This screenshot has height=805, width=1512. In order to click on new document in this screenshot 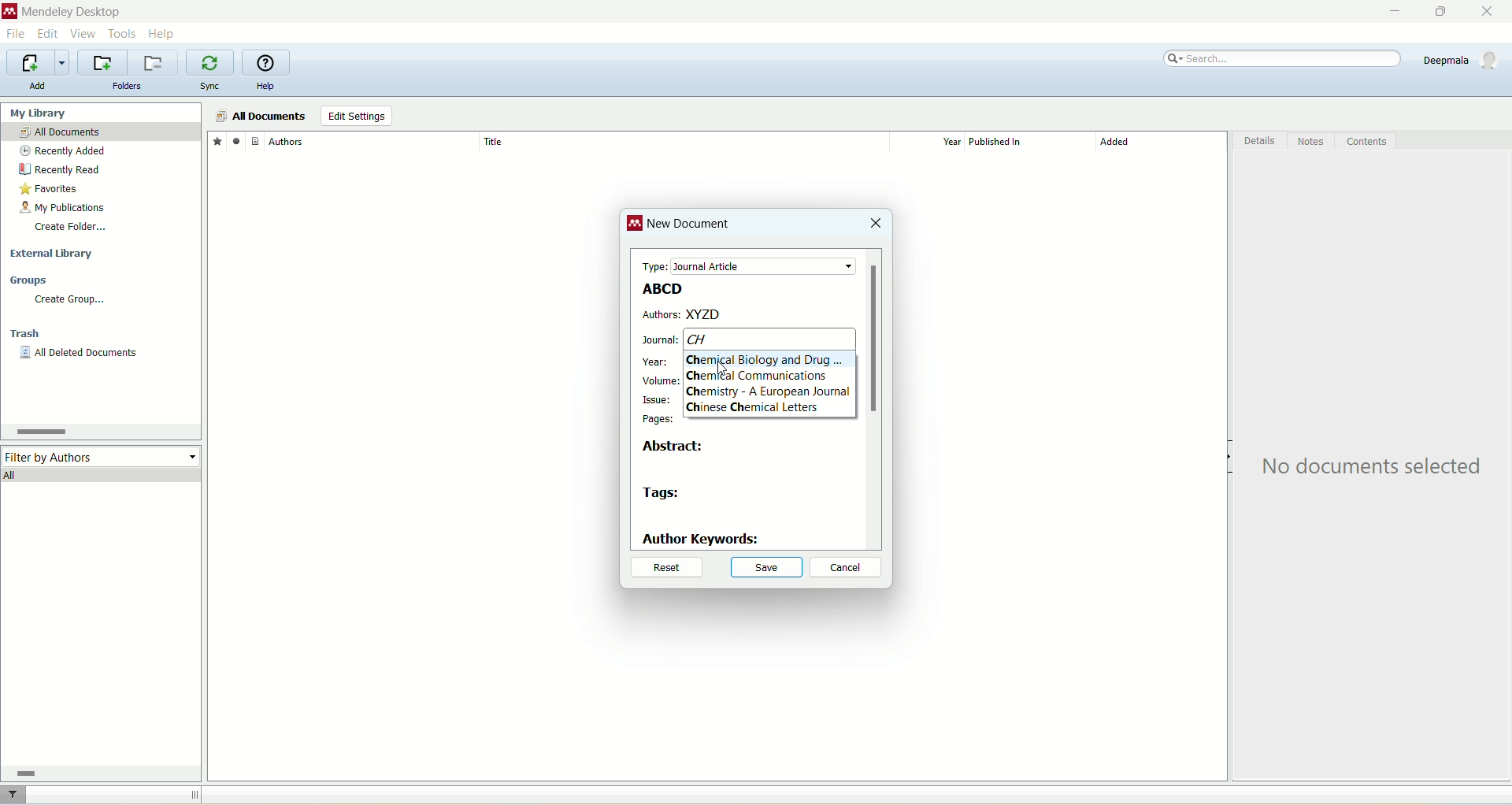, I will do `click(691, 227)`.